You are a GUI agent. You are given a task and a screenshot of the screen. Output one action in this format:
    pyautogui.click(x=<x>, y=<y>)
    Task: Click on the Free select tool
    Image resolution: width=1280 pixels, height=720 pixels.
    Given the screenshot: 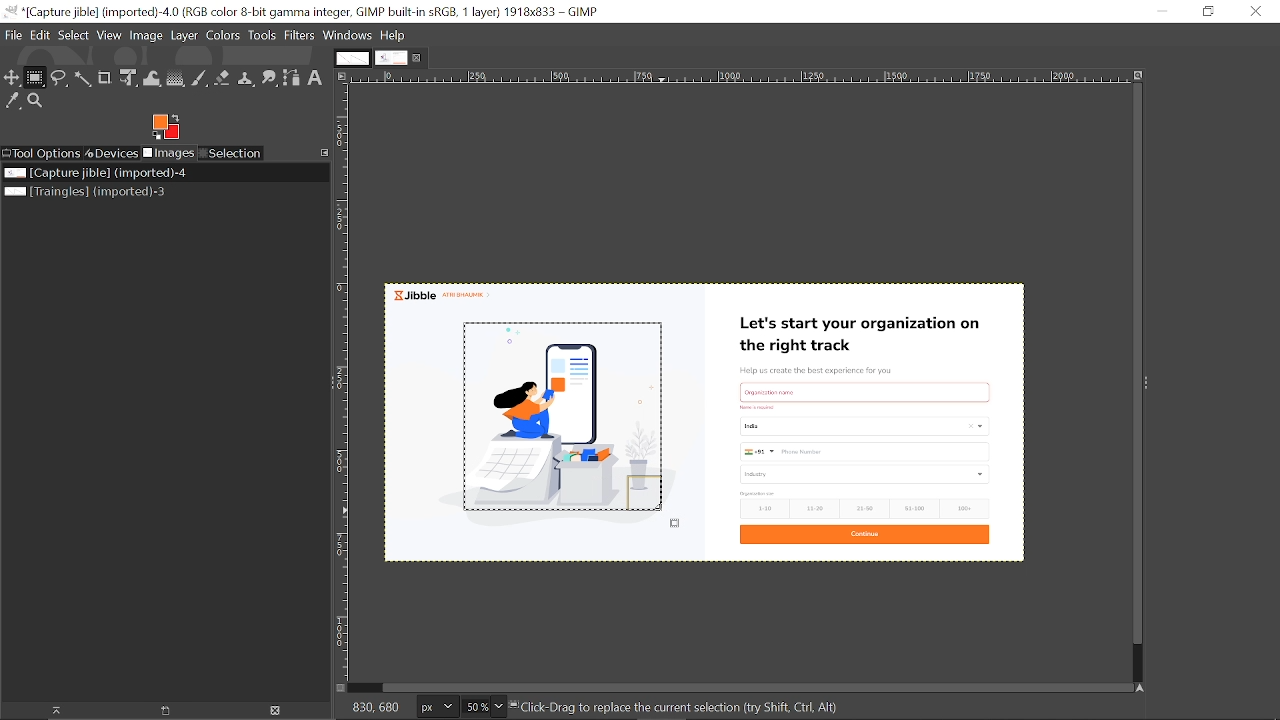 What is the action you would take?
    pyautogui.click(x=58, y=79)
    